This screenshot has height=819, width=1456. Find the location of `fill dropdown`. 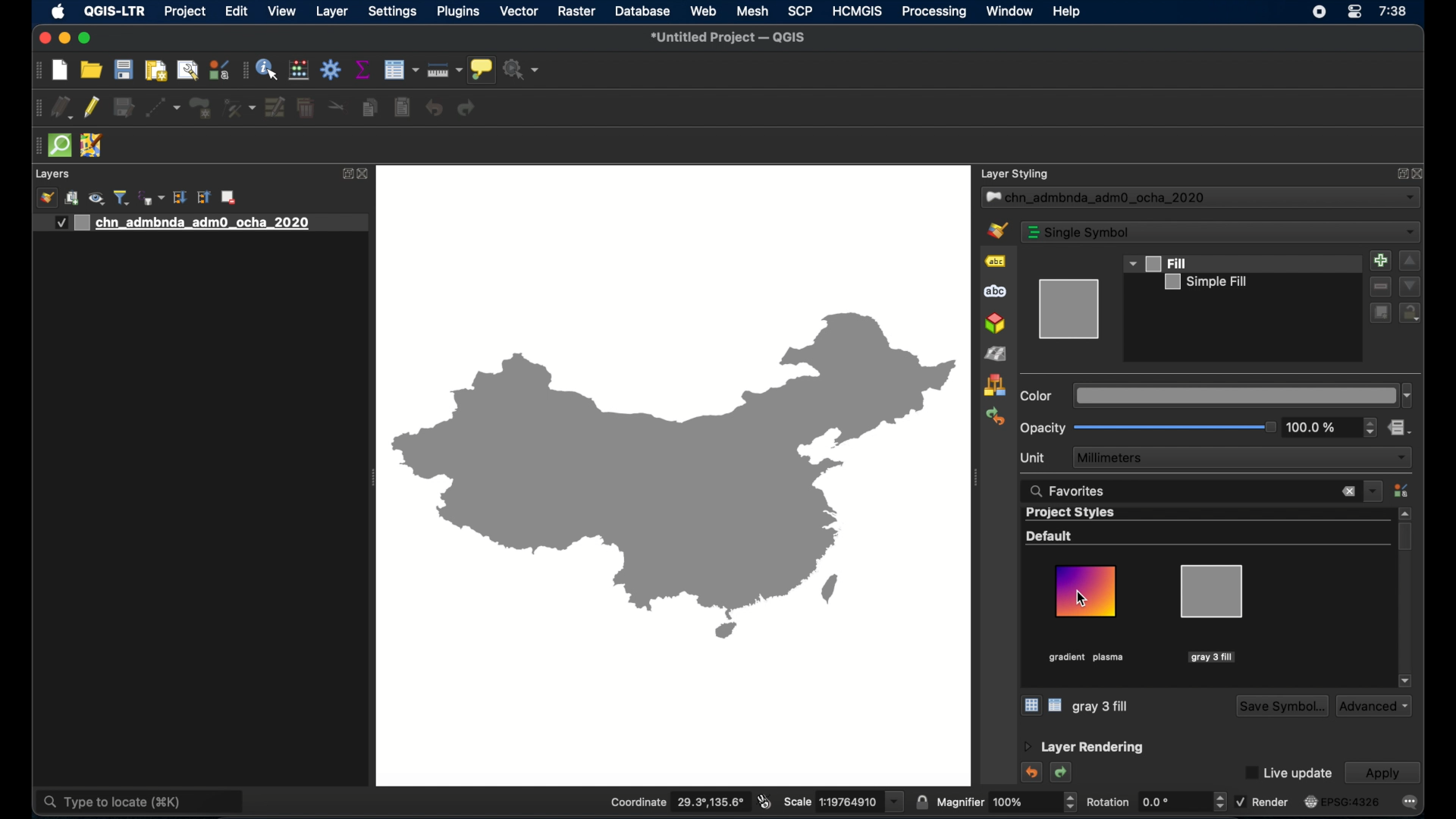

fill dropdown is located at coordinates (1157, 263).